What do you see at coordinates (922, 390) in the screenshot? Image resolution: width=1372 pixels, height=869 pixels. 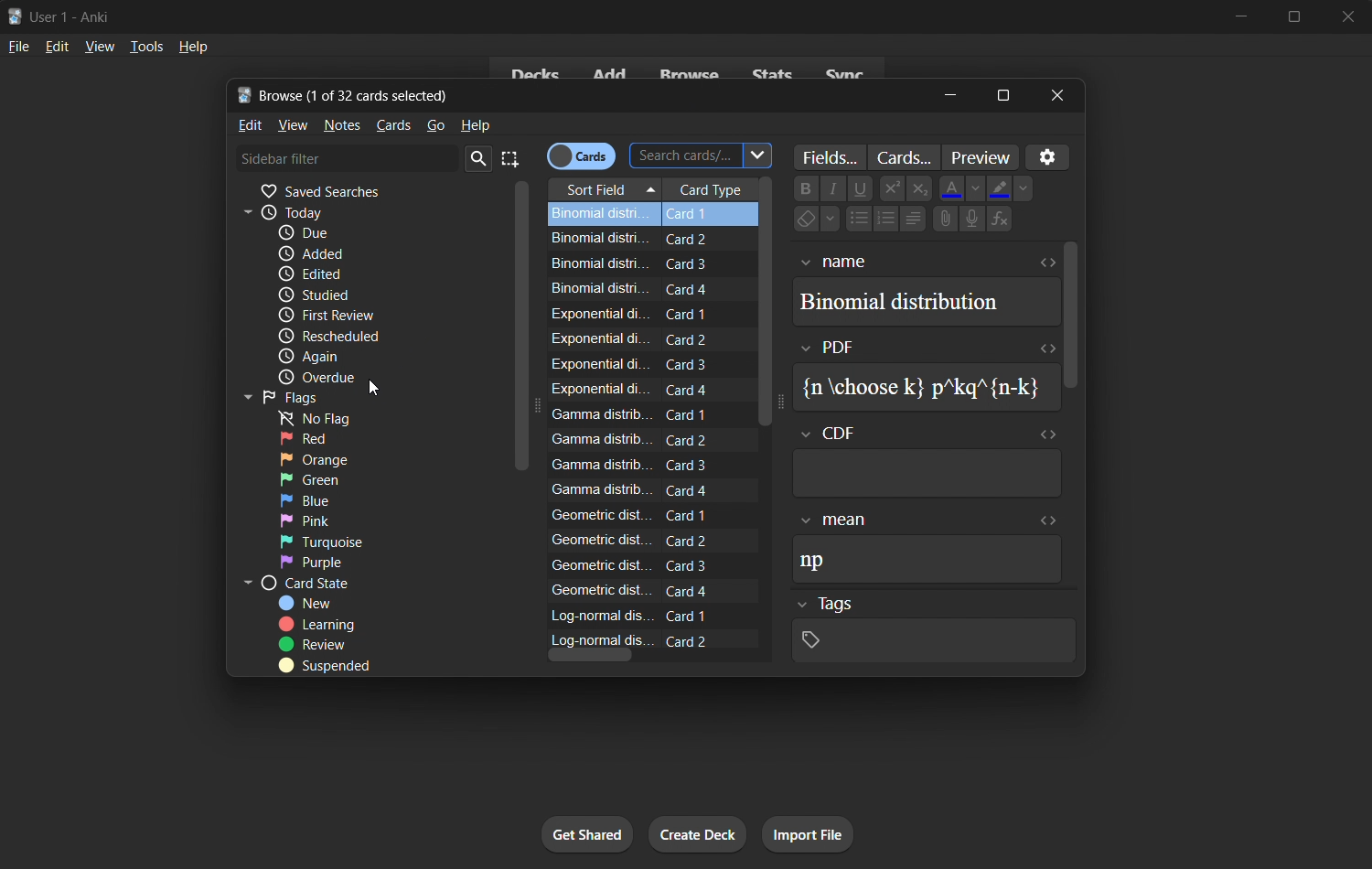 I see `{n choose k} p*kq"{n-k}` at bounding box center [922, 390].